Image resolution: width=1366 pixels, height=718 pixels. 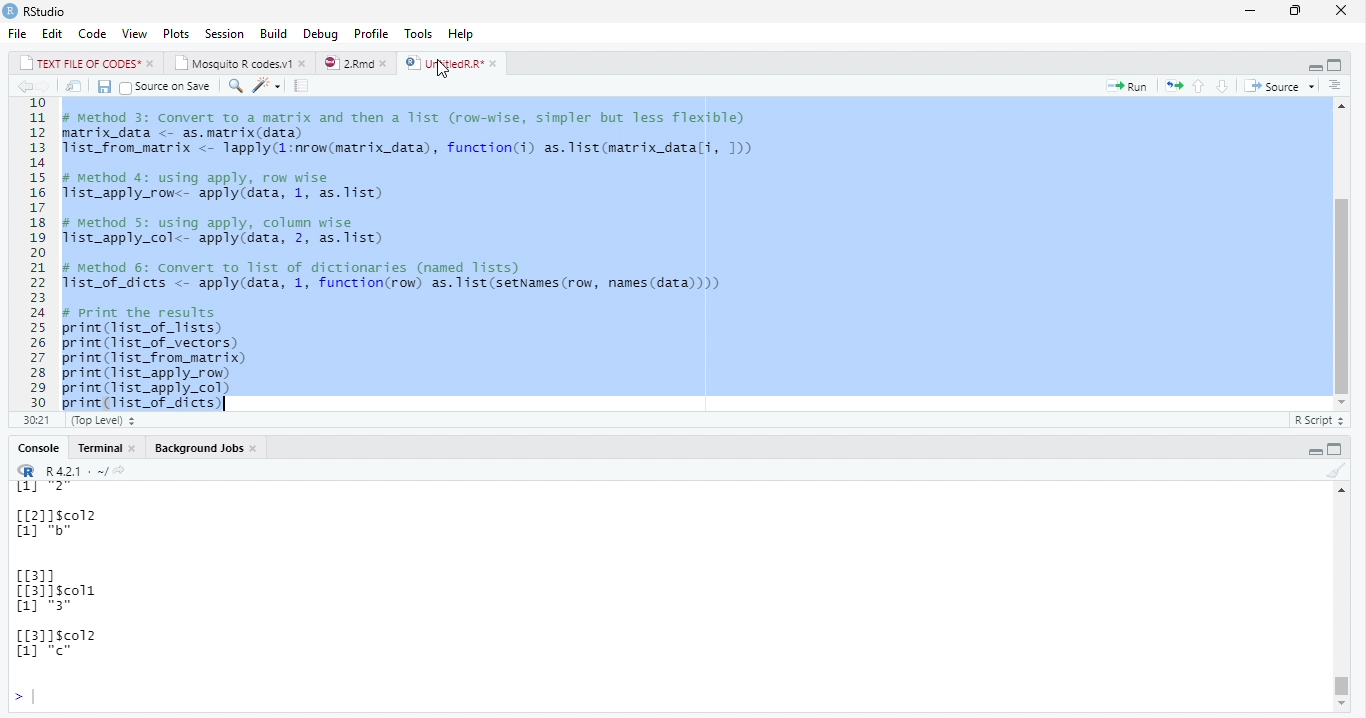 What do you see at coordinates (209, 177) in the screenshot?
I see `# Method 4: using apply, row wise` at bounding box center [209, 177].